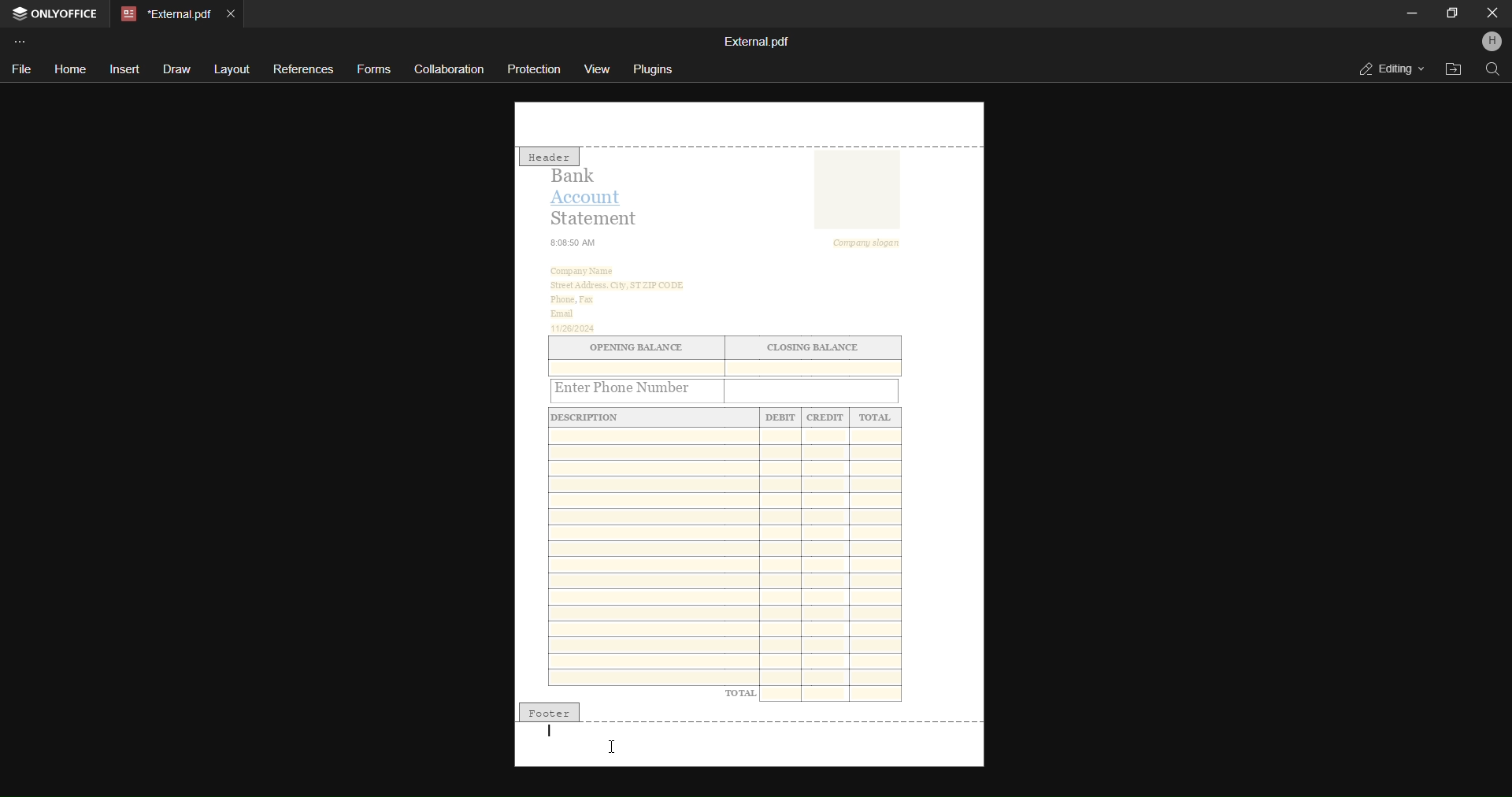 This screenshot has height=797, width=1512. What do you see at coordinates (740, 692) in the screenshot?
I see `TOTAL ` at bounding box center [740, 692].